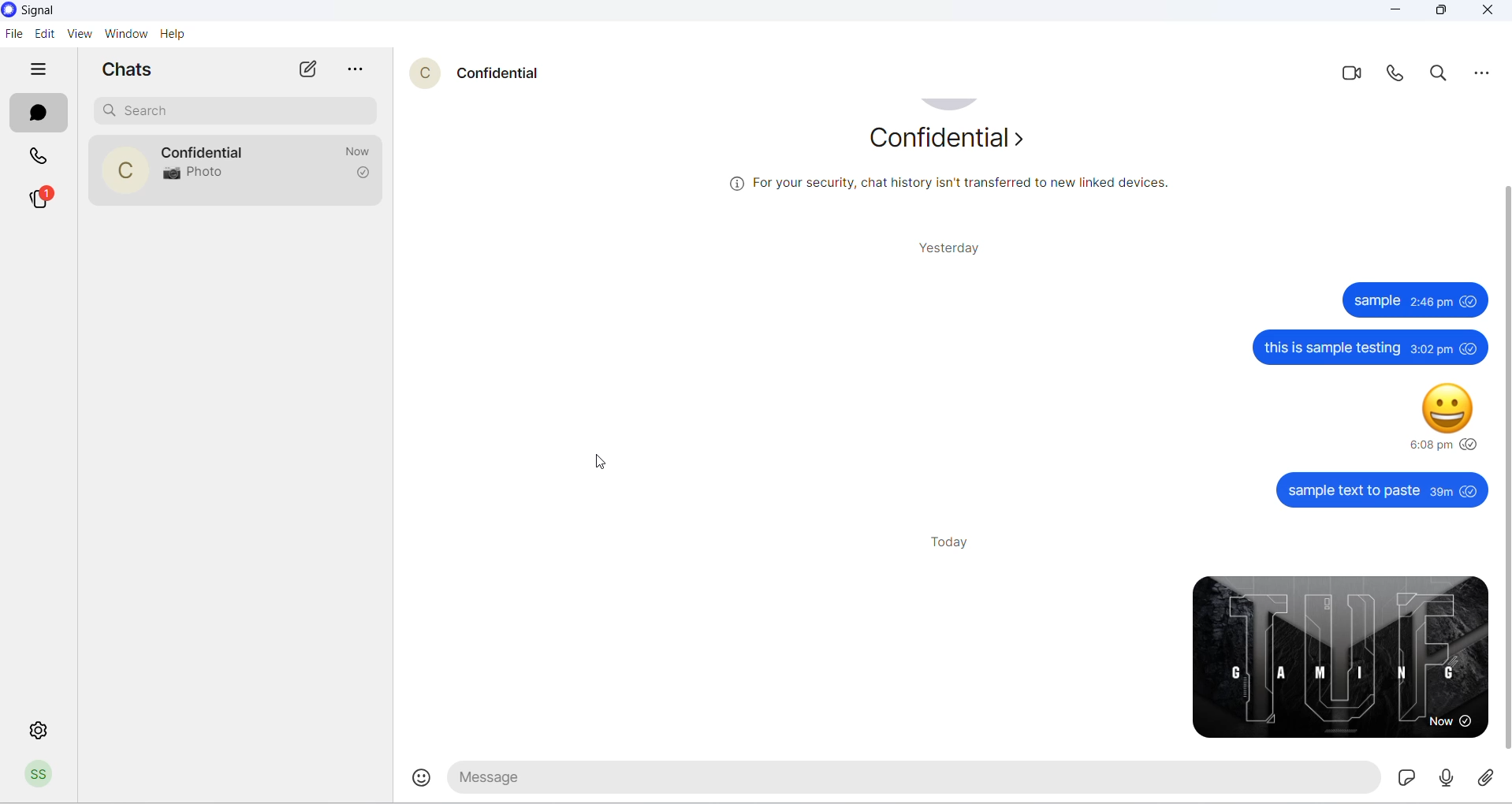  I want to click on minimize, so click(1397, 12).